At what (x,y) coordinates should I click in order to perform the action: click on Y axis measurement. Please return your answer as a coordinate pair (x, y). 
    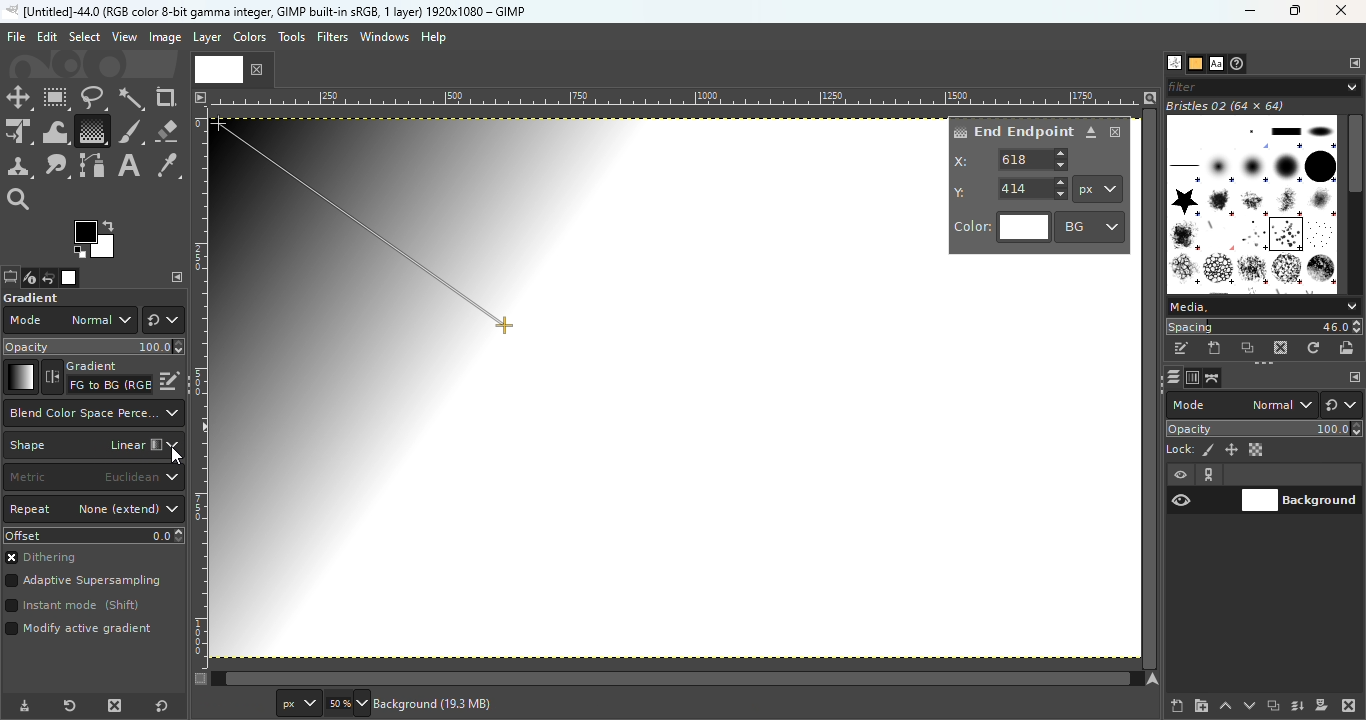
    Looking at the image, I should click on (1011, 187).